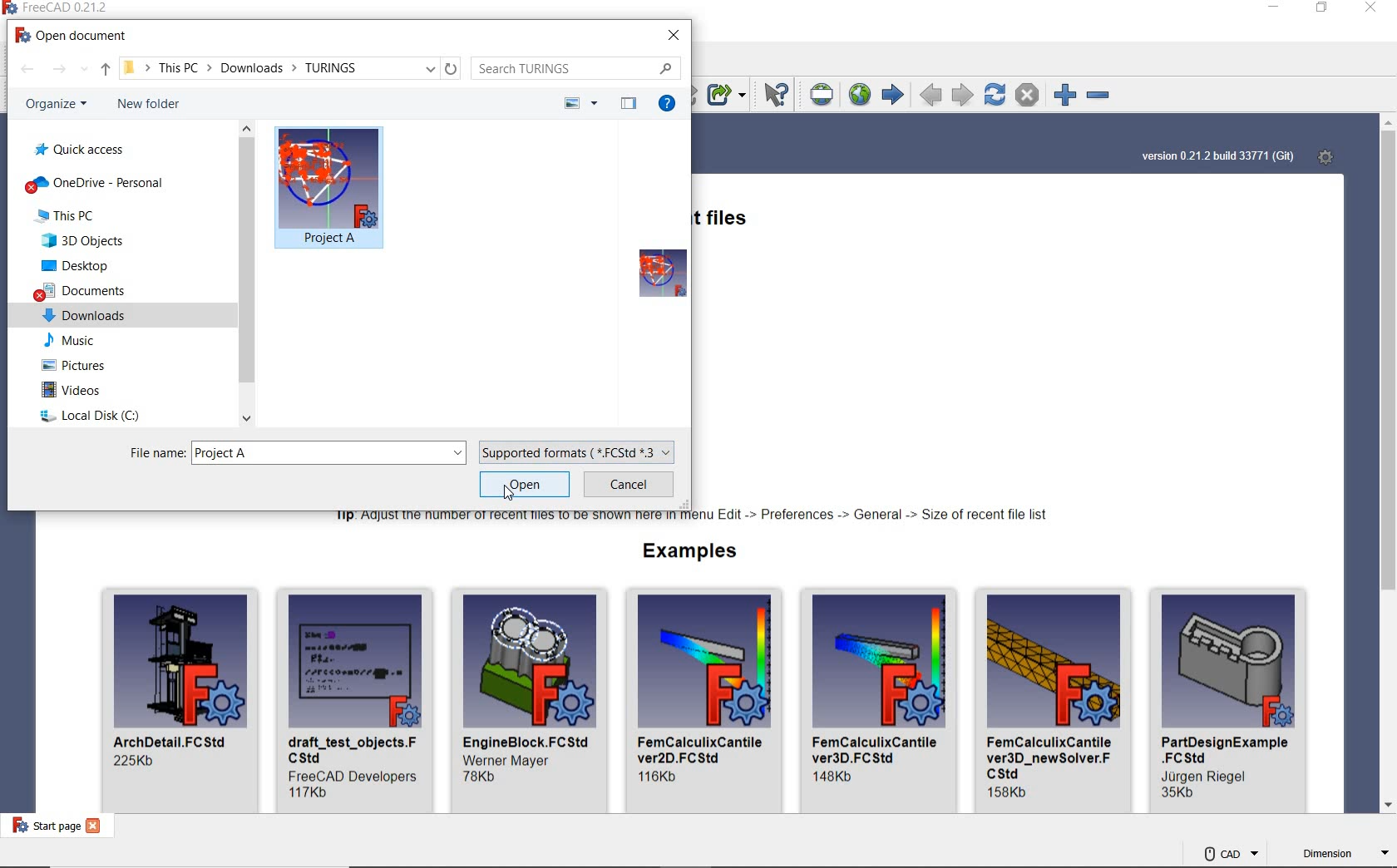 Image resolution: width=1397 pixels, height=868 pixels. Describe the element at coordinates (81, 150) in the screenshot. I see `quick access` at that location.